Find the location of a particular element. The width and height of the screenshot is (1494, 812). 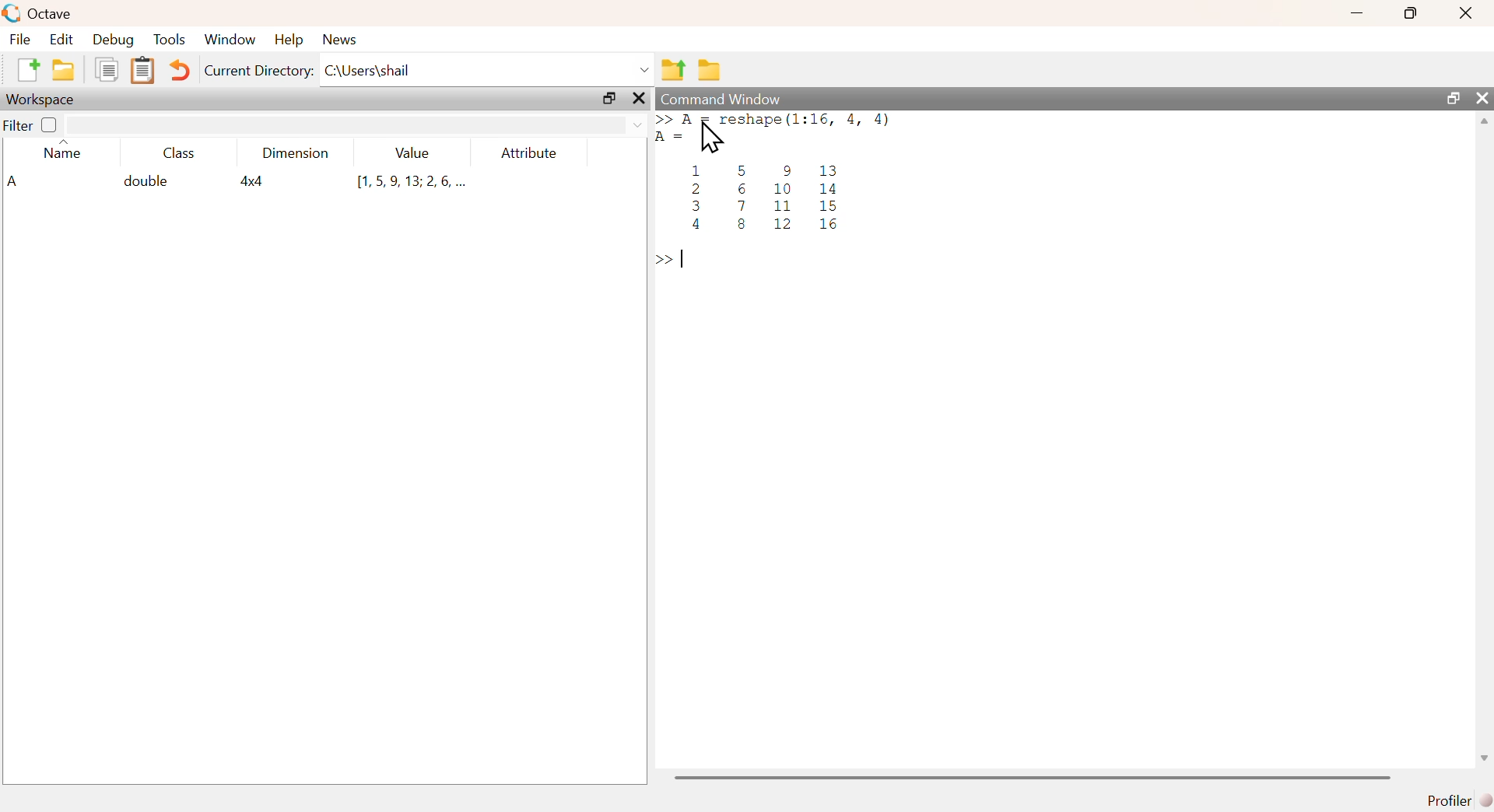

Current Directory: is located at coordinates (256, 72).